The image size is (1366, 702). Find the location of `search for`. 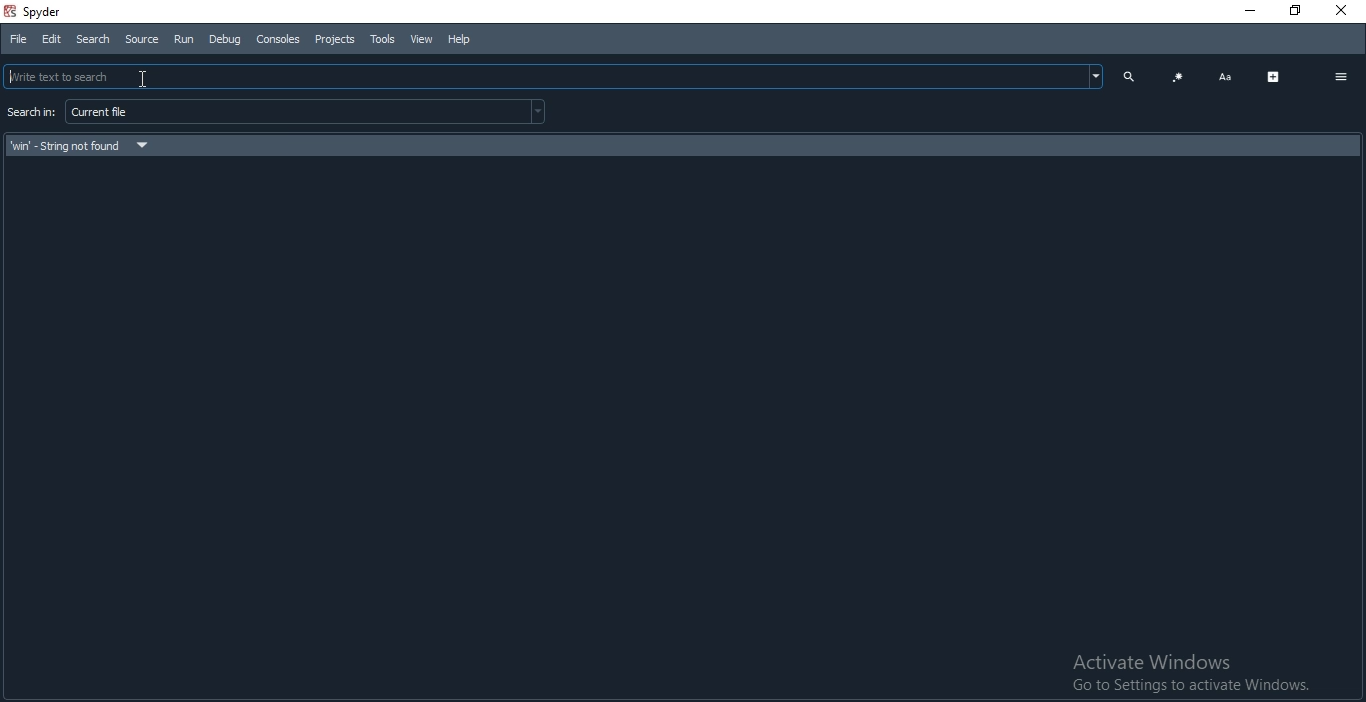

search for is located at coordinates (30, 114).